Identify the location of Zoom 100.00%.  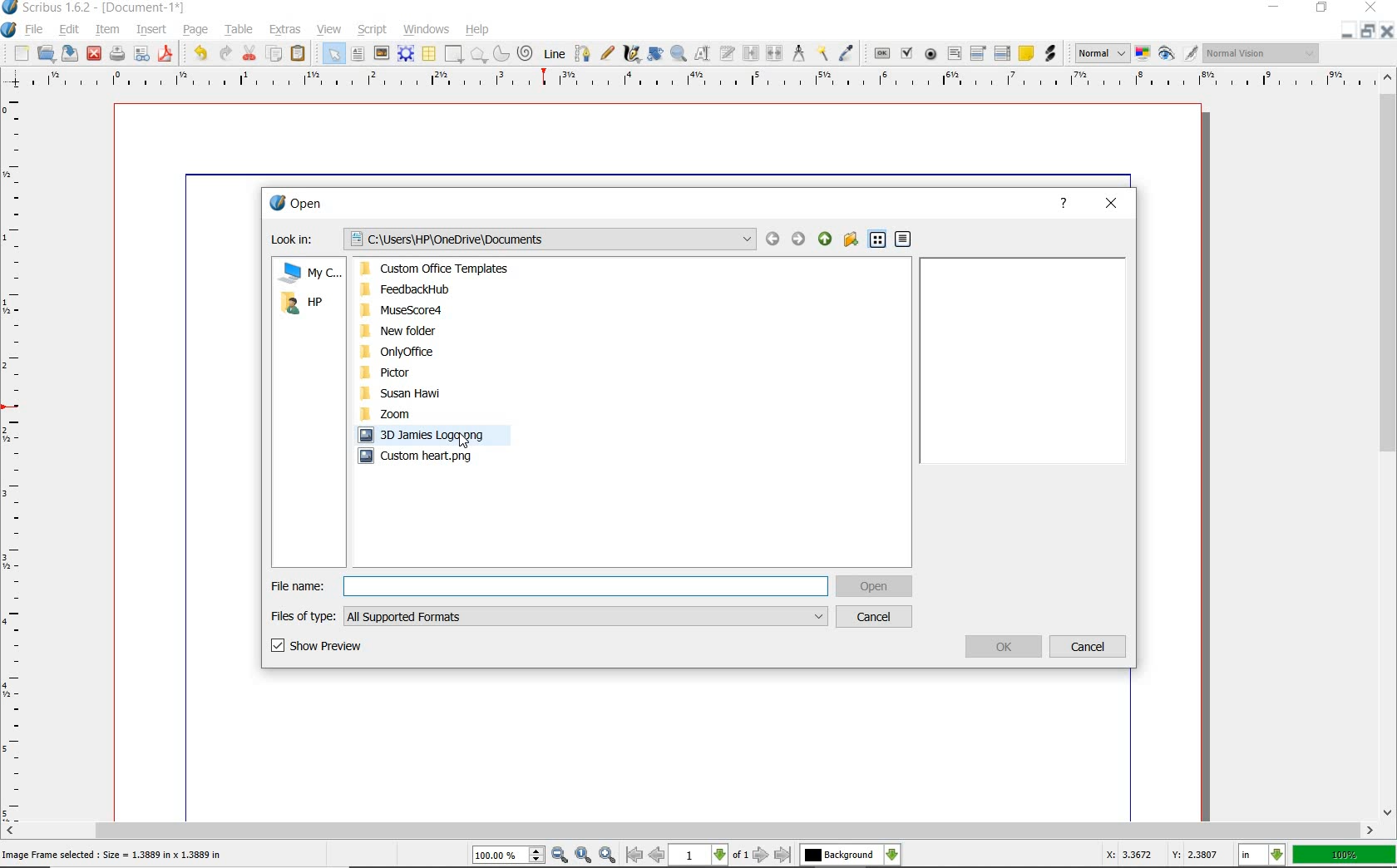
(508, 856).